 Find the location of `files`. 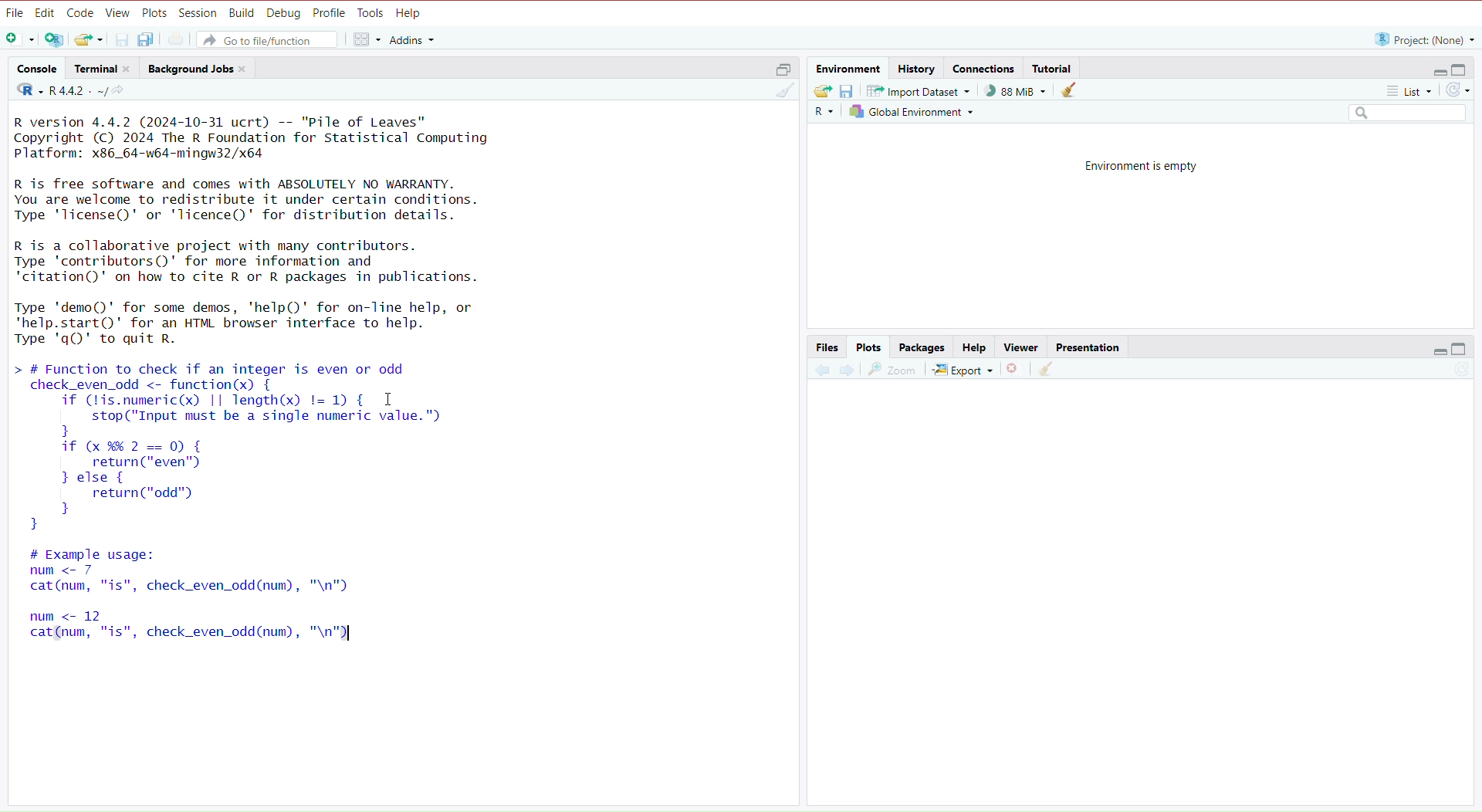

files is located at coordinates (827, 347).